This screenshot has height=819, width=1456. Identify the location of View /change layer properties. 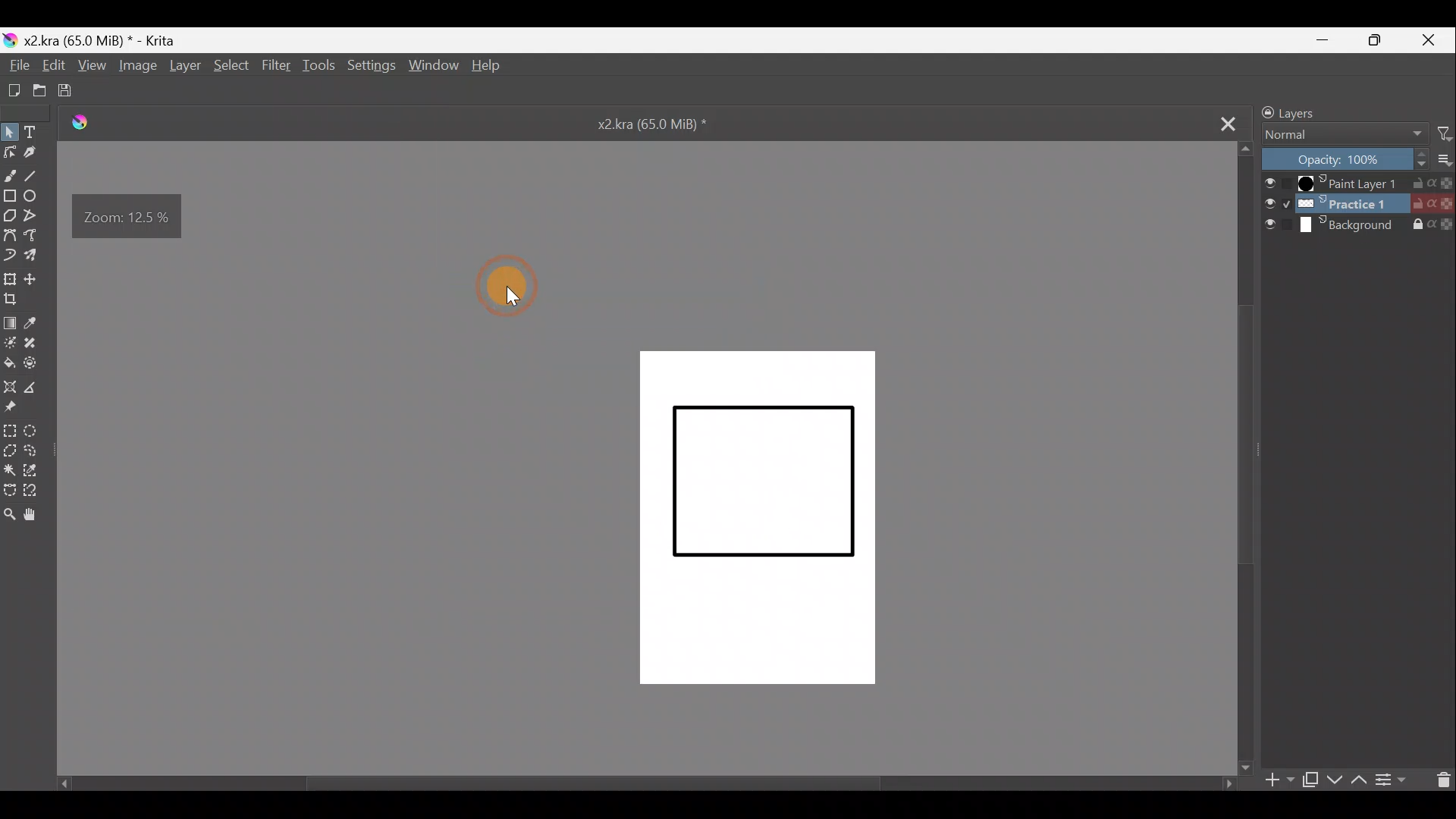
(1395, 780).